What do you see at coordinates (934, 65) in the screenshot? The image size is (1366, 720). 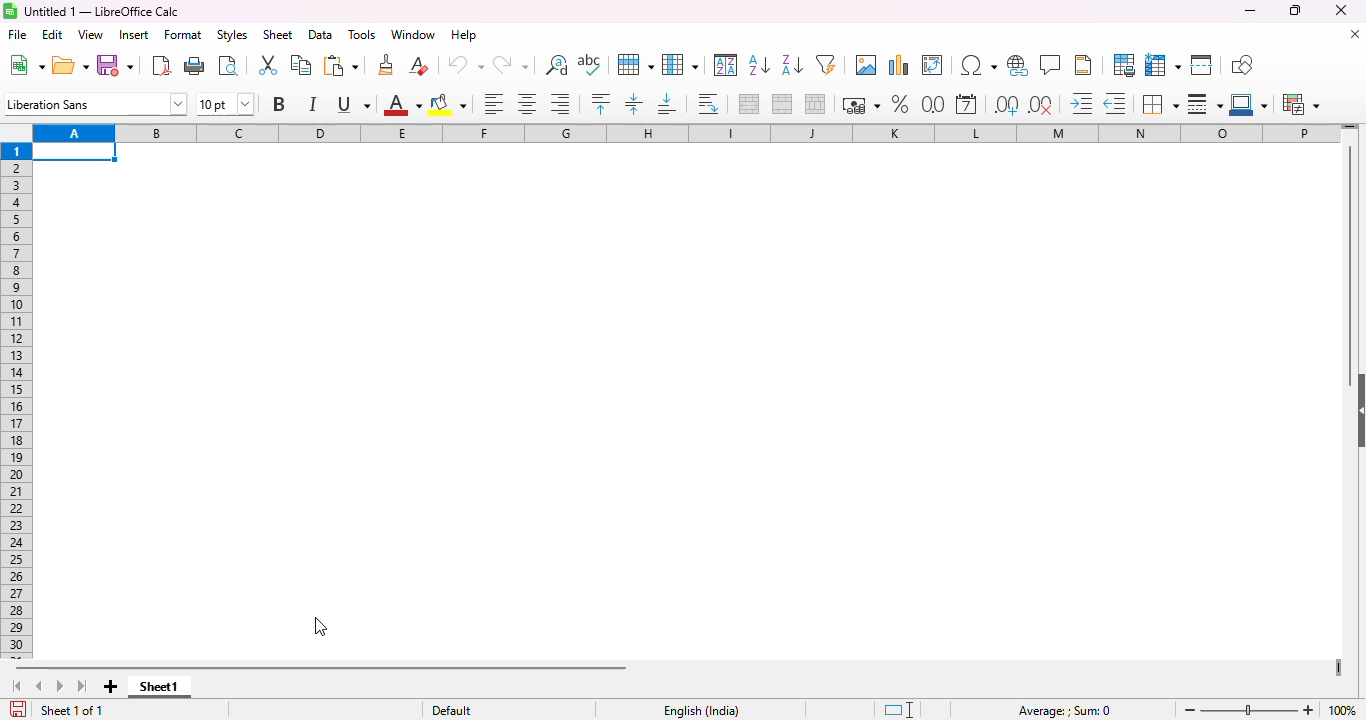 I see `insert or edit pivot table` at bounding box center [934, 65].